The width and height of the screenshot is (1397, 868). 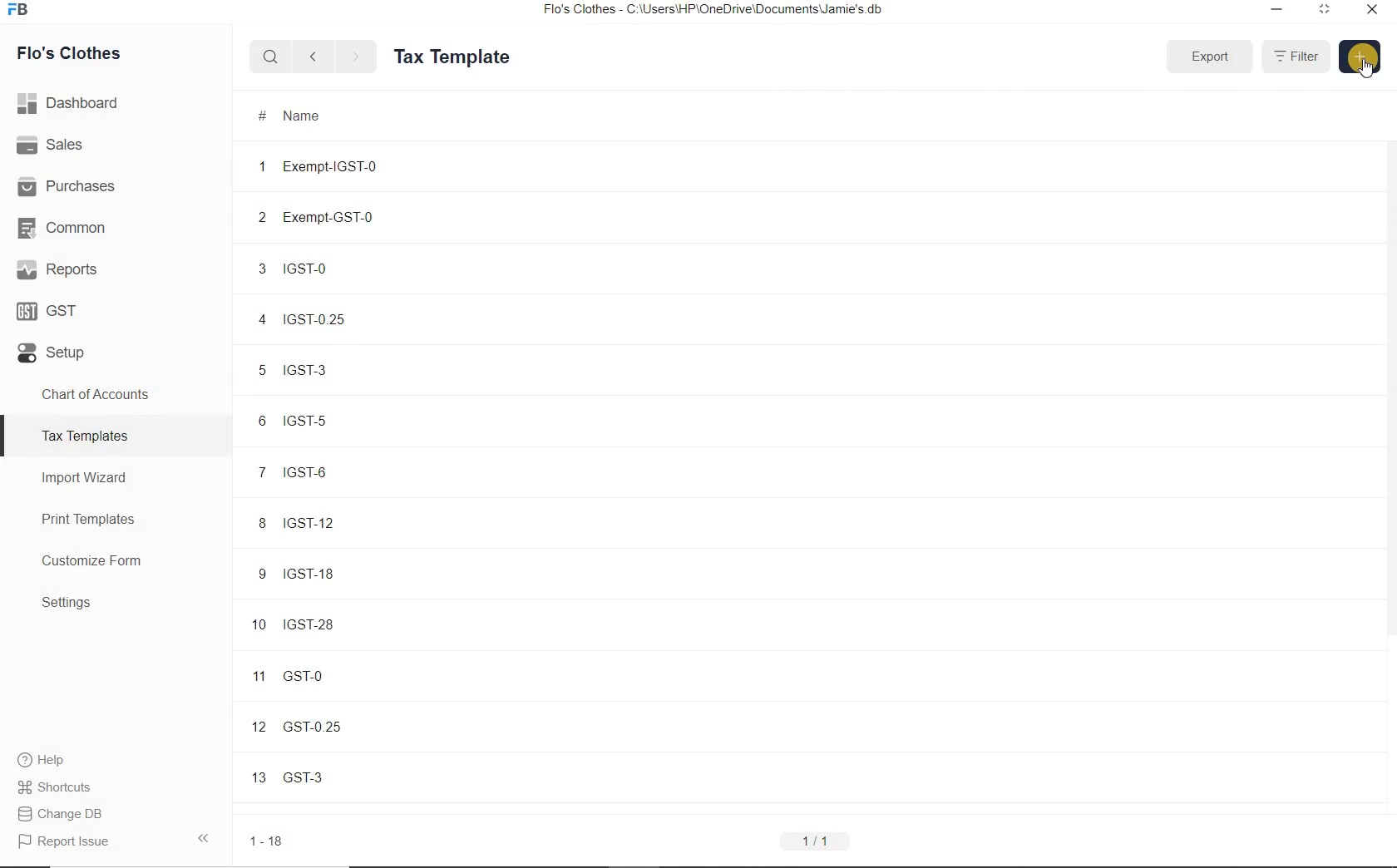 What do you see at coordinates (348, 726) in the screenshot?
I see `12 GST-025` at bounding box center [348, 726].